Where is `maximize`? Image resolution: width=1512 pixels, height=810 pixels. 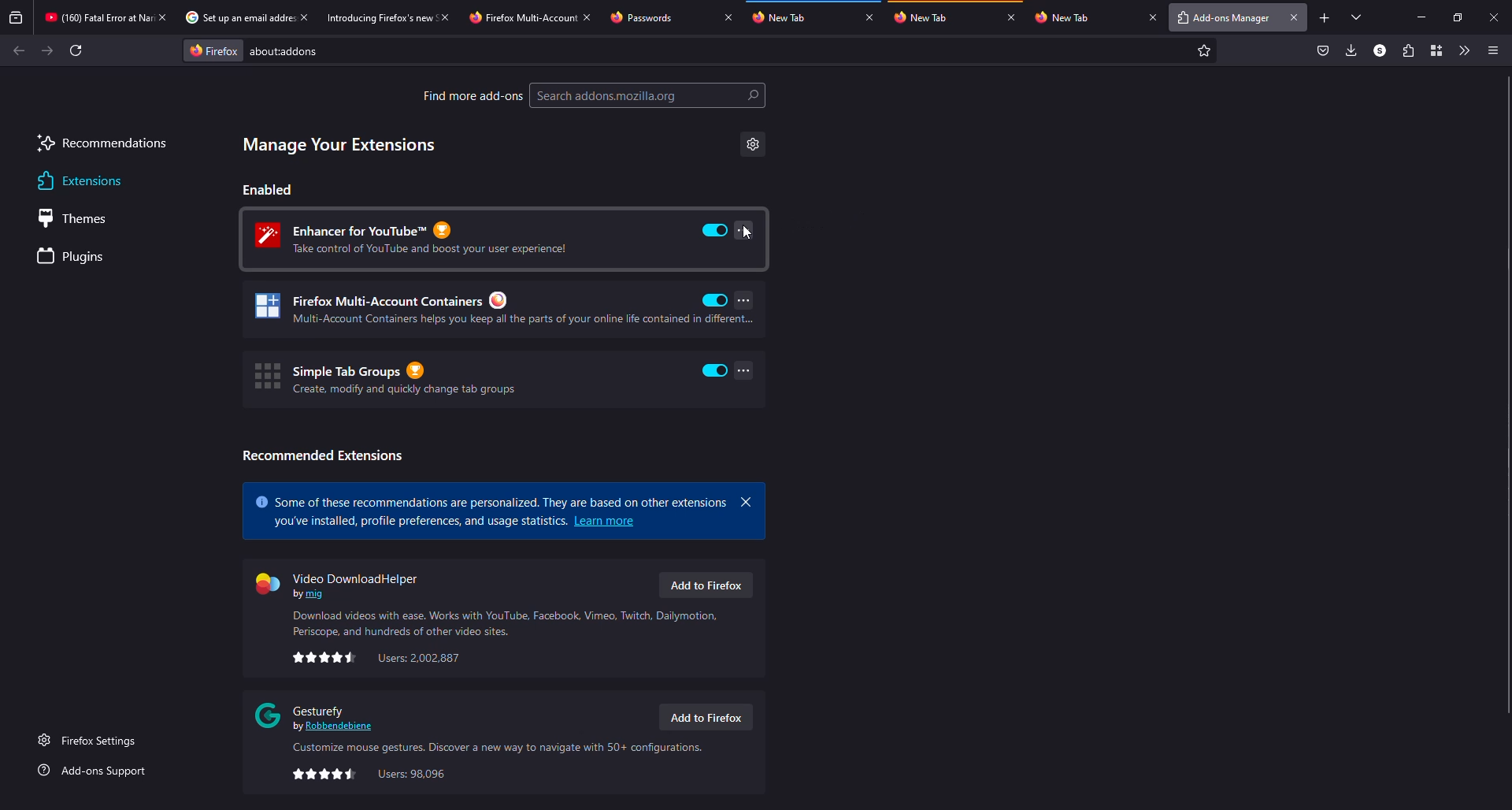 maximize is located at coordinates (1458, 18).